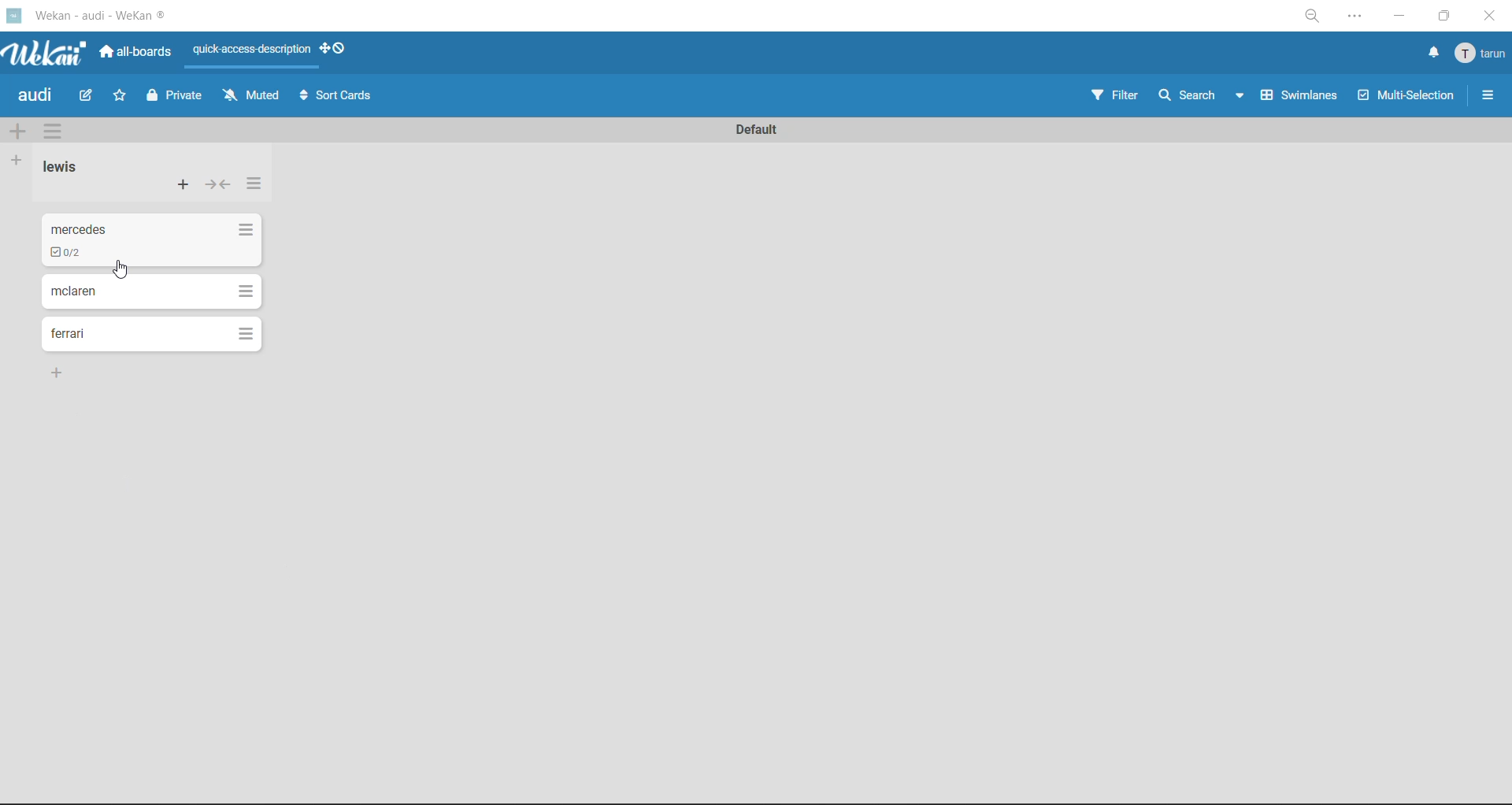 The image size is (1512, 805). I want to click on private, so click(179, 97).